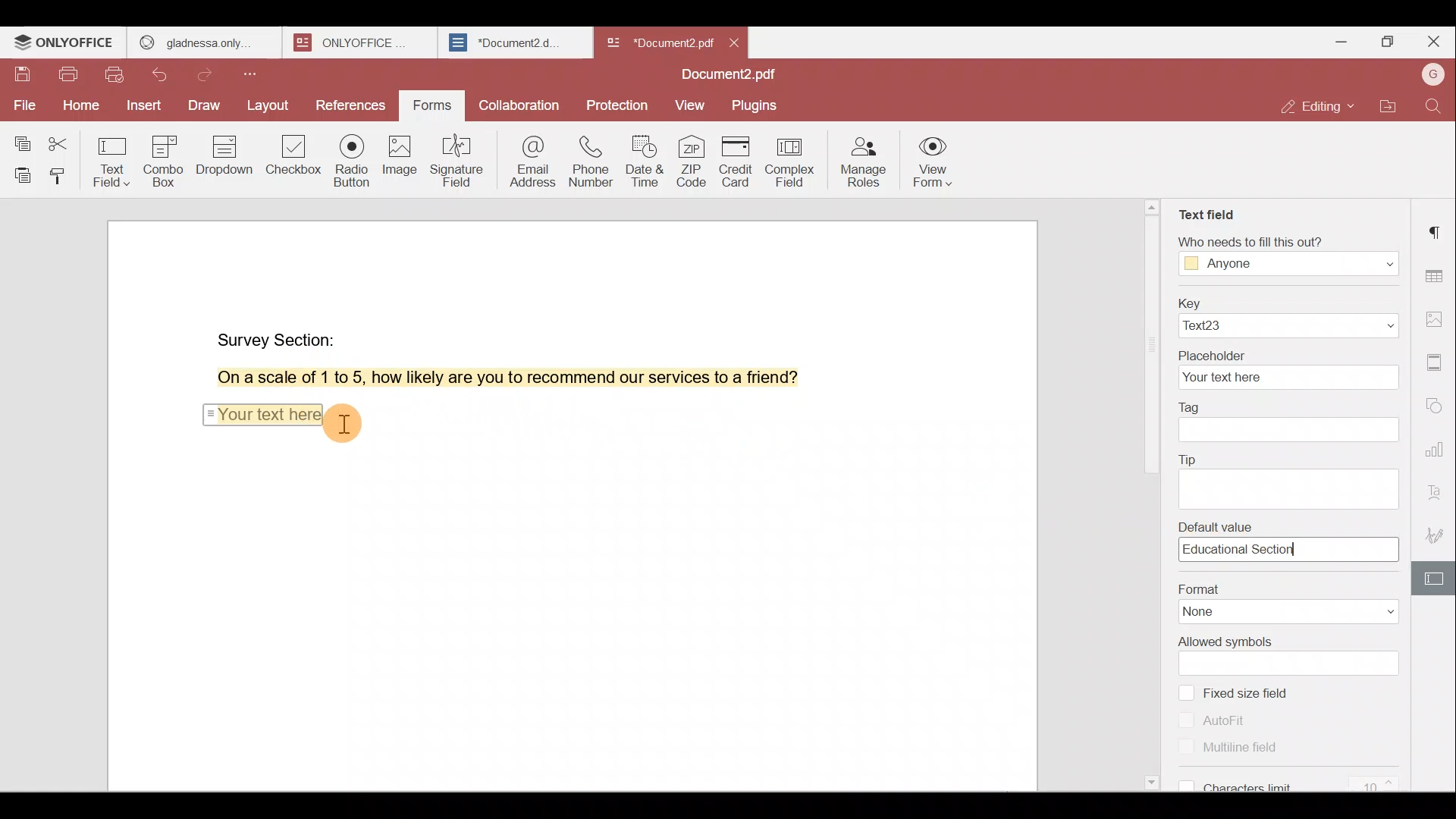 The height and width of the screenshot is (819, 1456). I want to click on Multiline field, so click(1223, 745).